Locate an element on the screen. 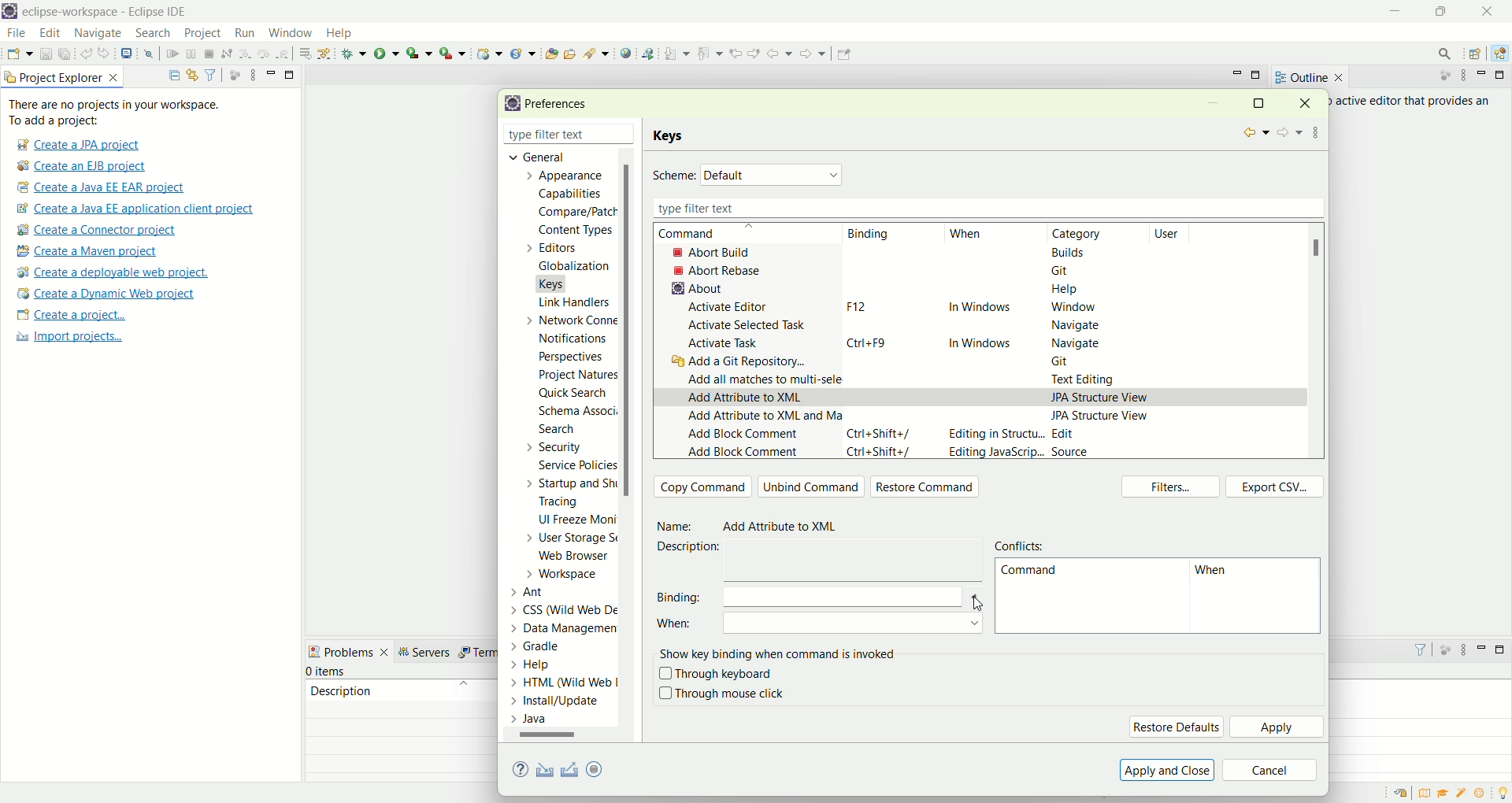 Image resolution: width=1512 pixels, height=803 pixels. minimize is located at coordinates (1397, 12).